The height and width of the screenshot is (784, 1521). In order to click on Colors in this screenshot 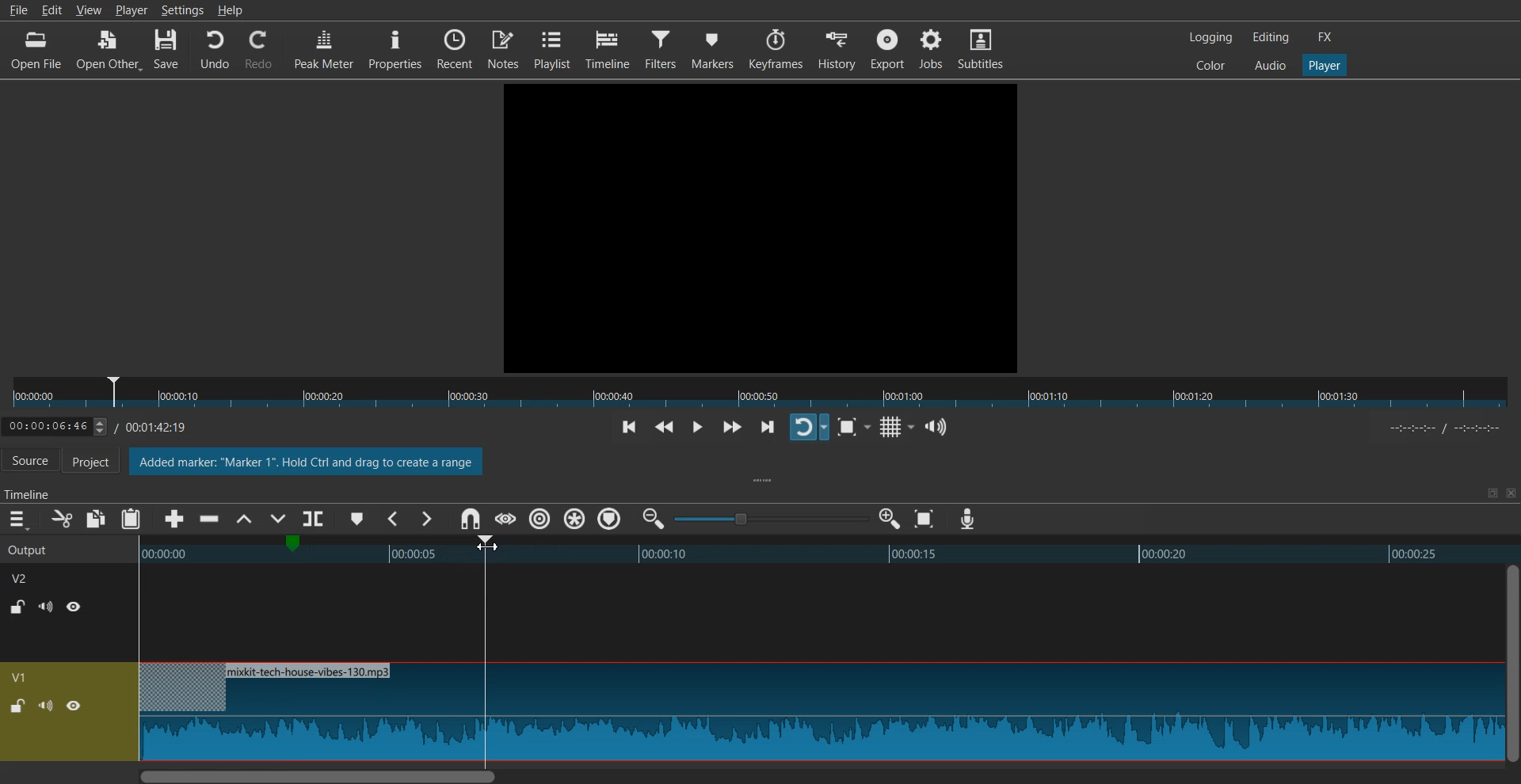, I will do `click(1210, 64)`.